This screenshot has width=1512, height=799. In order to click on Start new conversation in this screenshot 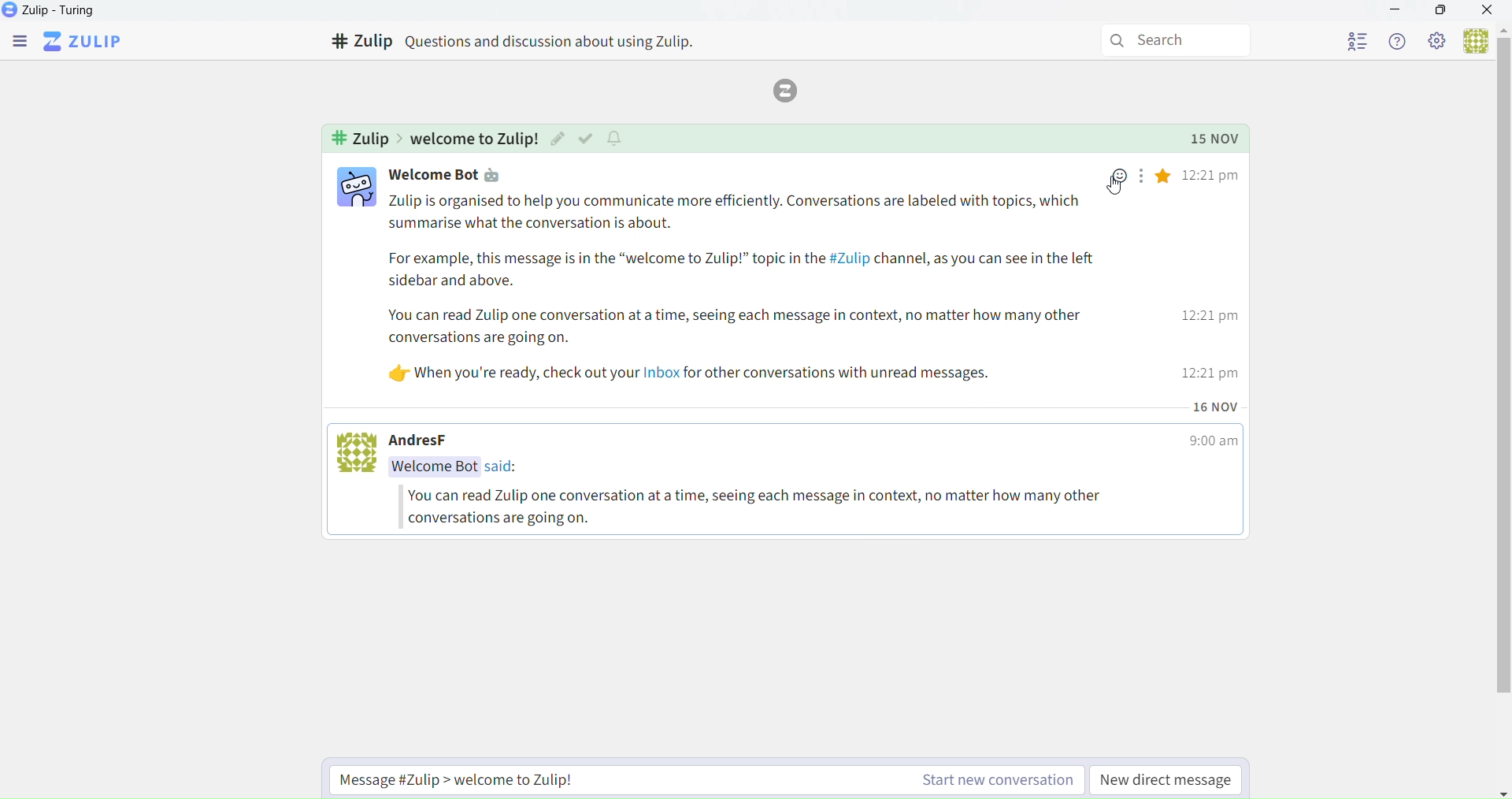, I will do `click(698, 779)`.